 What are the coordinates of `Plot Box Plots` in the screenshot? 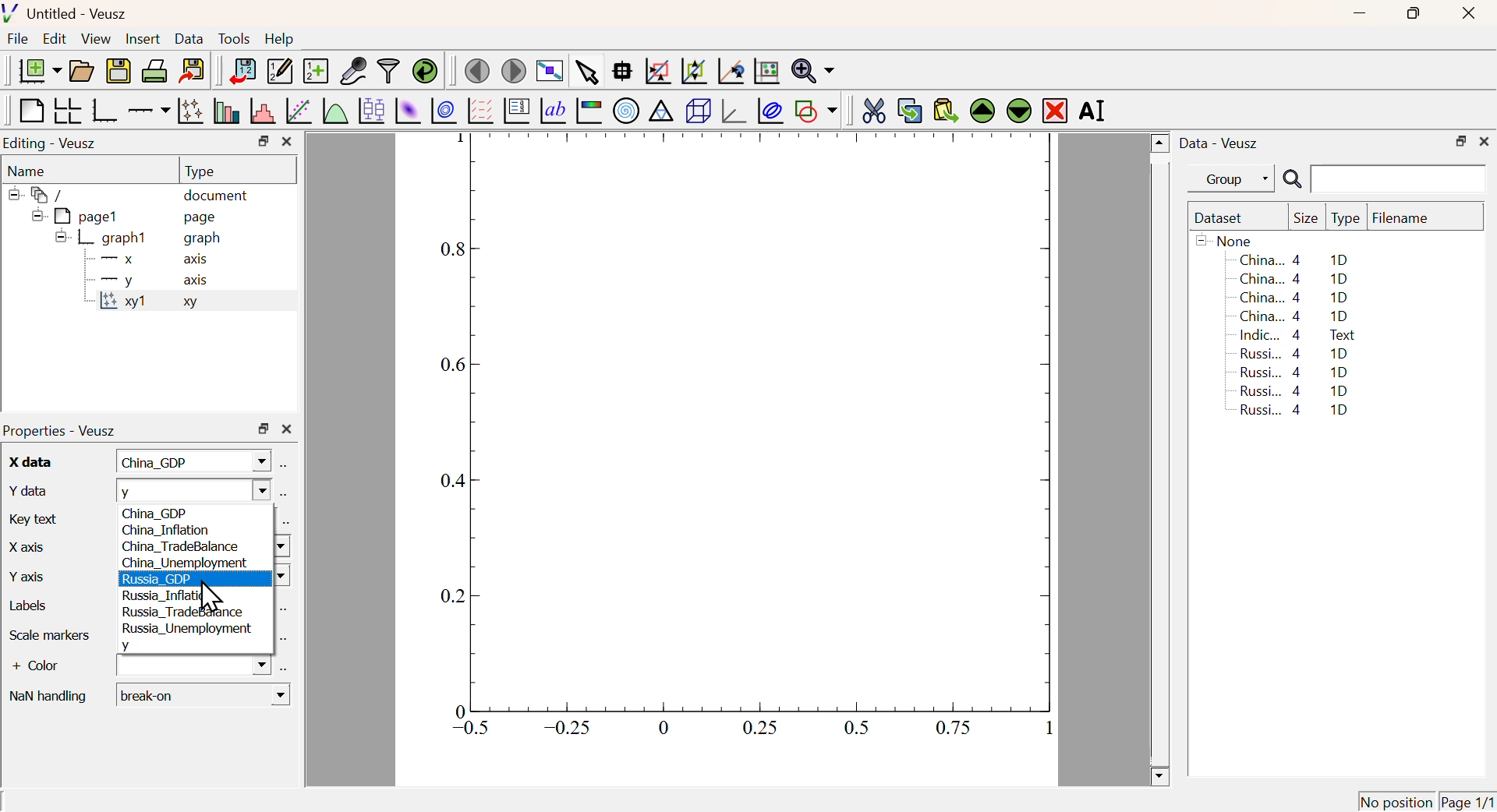 It's located at (370, 110).